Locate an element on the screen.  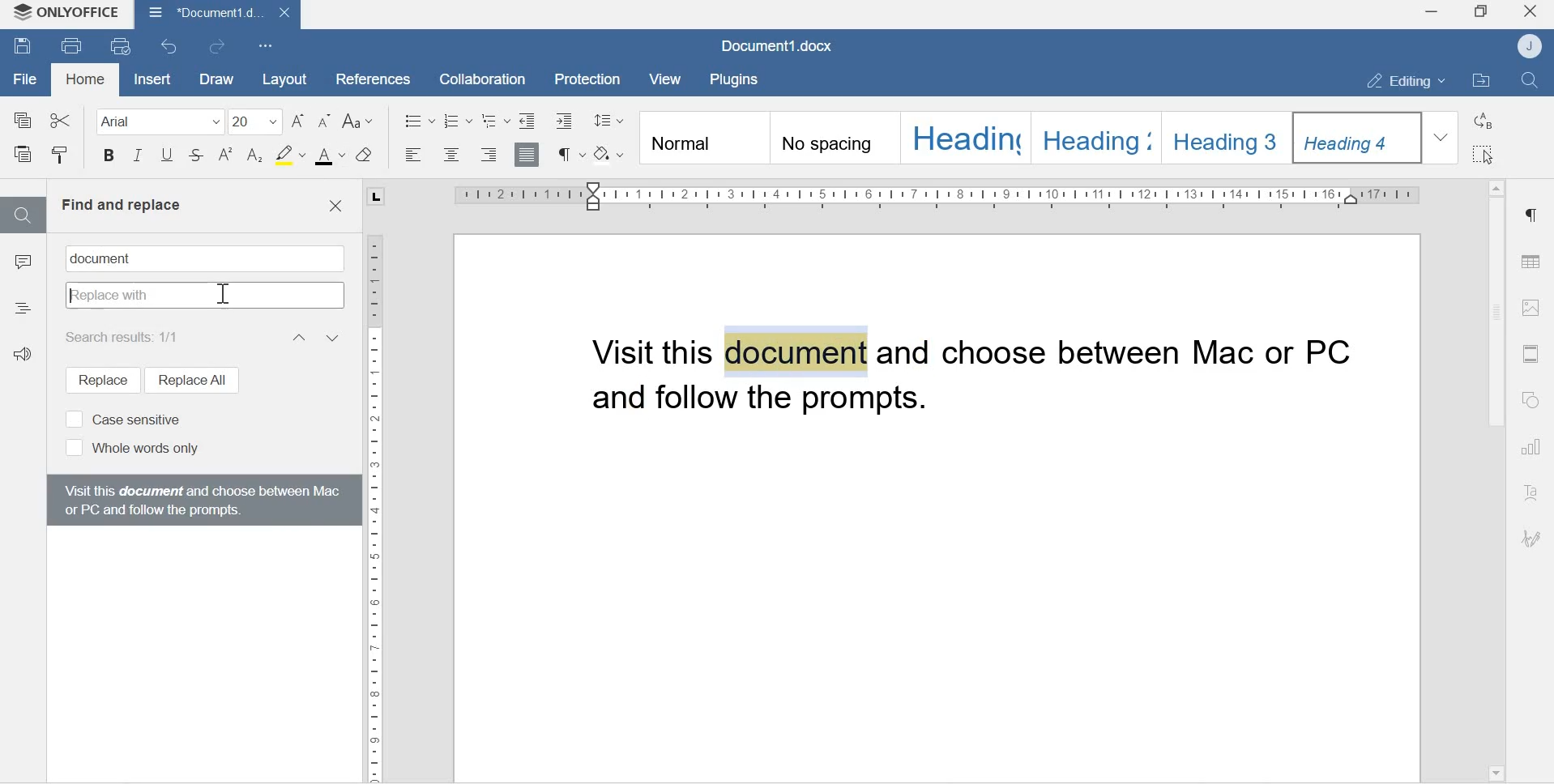
Dropdown is located at coordinates (1443, 137).